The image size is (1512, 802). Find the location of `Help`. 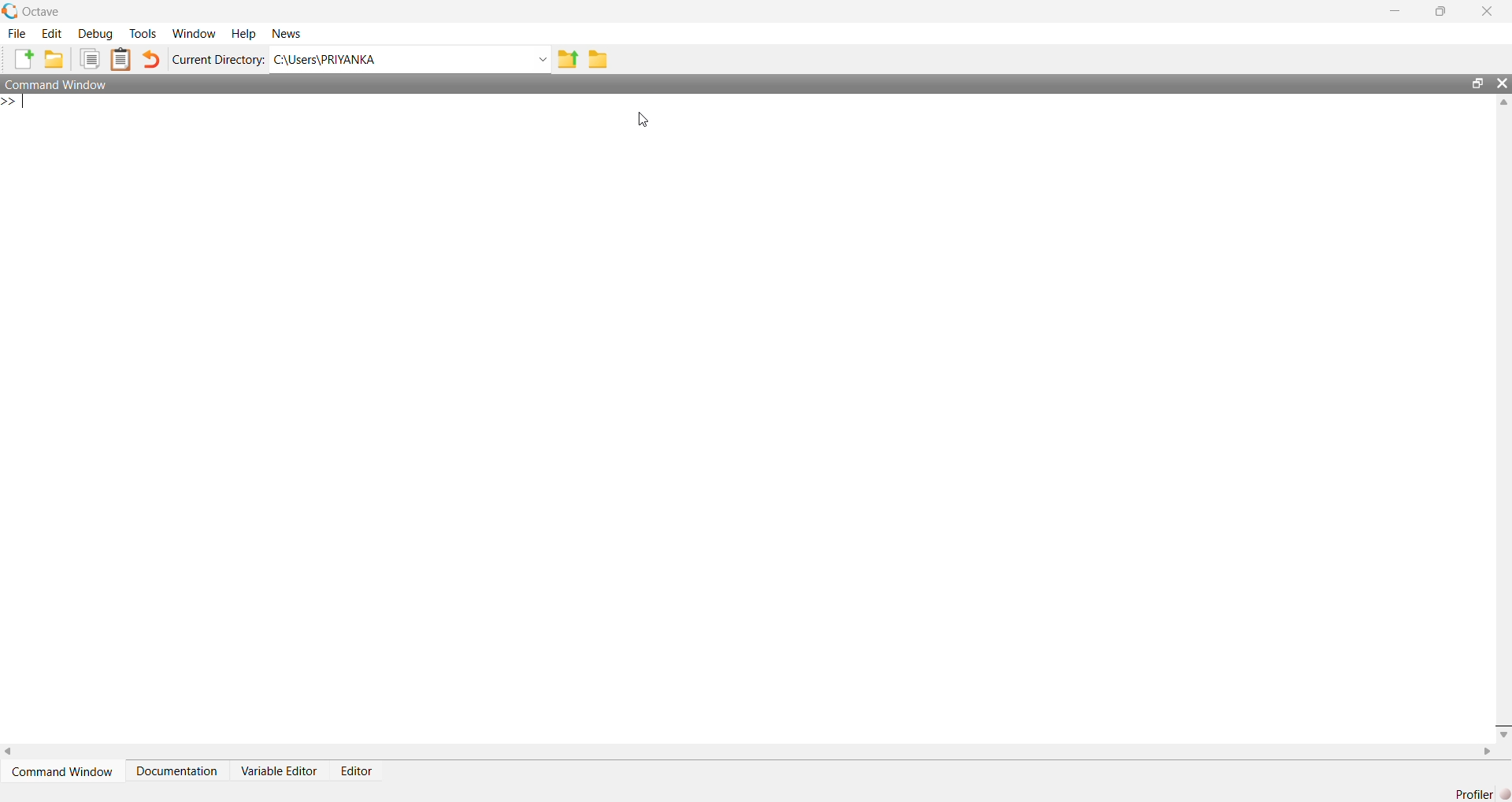

Help is located at coordinates (244, 32).